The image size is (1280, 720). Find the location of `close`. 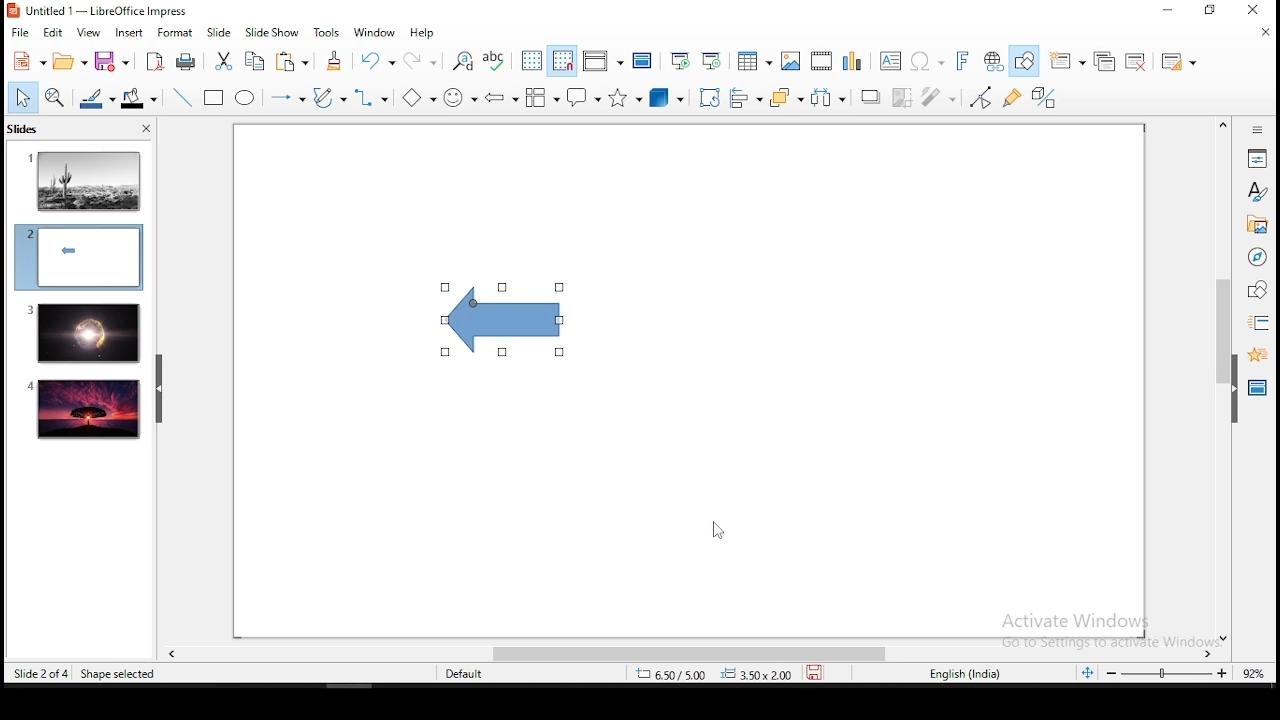

close is located at coordinates (1265, 31).